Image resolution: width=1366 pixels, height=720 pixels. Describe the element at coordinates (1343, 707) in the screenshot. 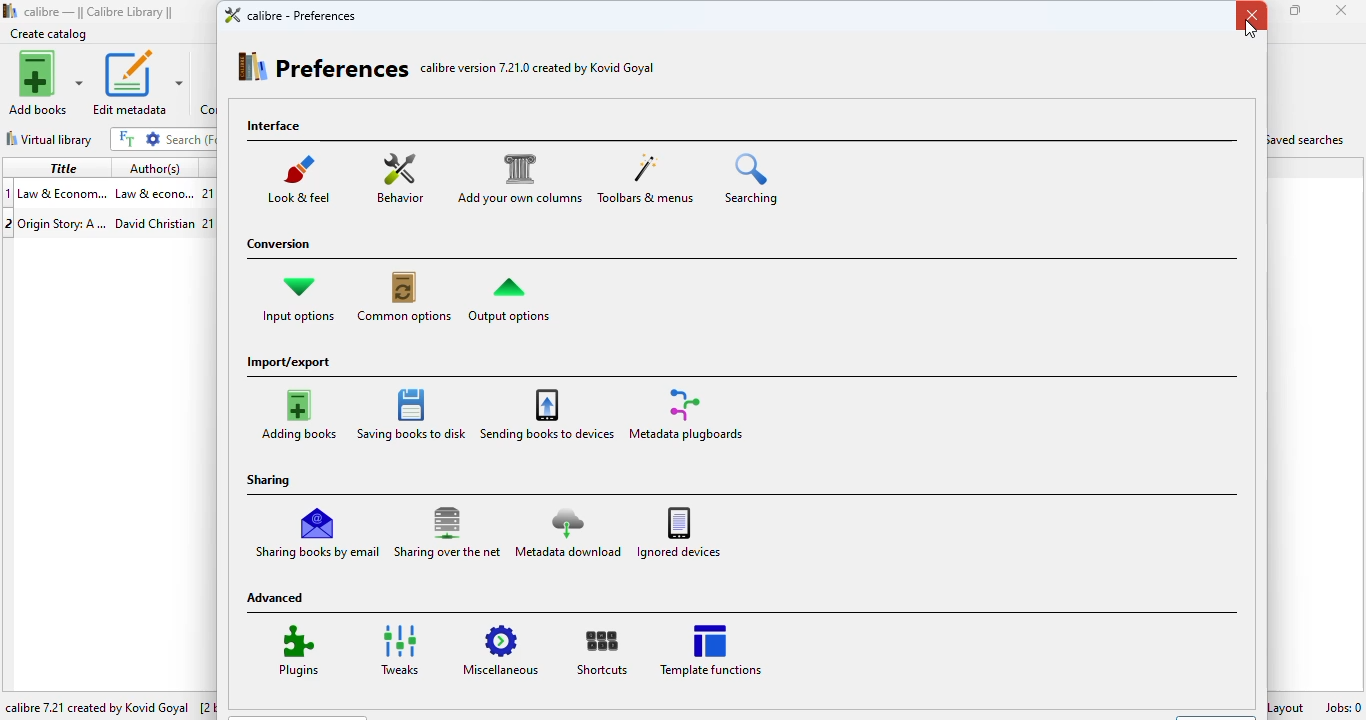

I see `jobs: 0` at that location.